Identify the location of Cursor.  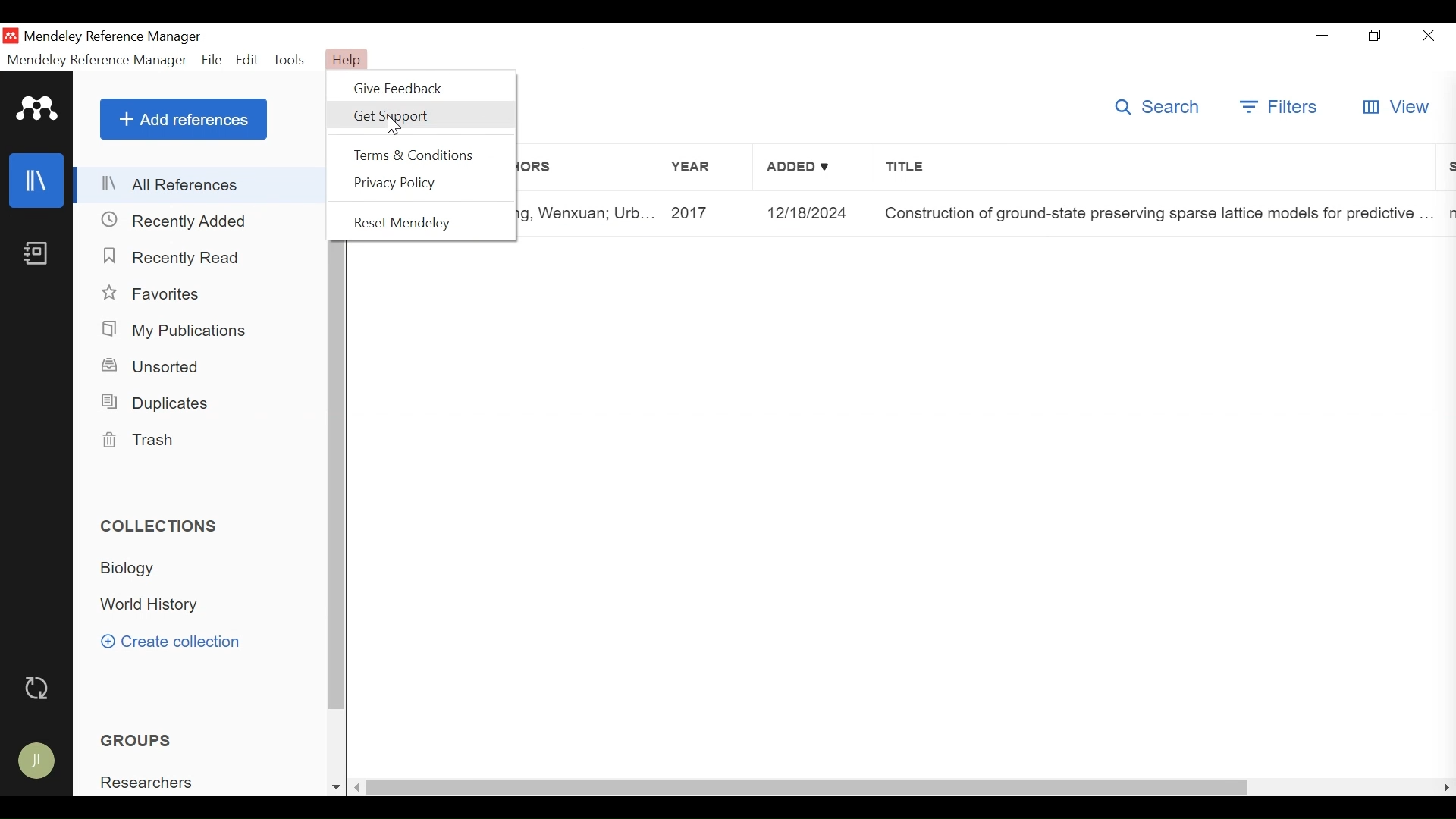
(394, 126).